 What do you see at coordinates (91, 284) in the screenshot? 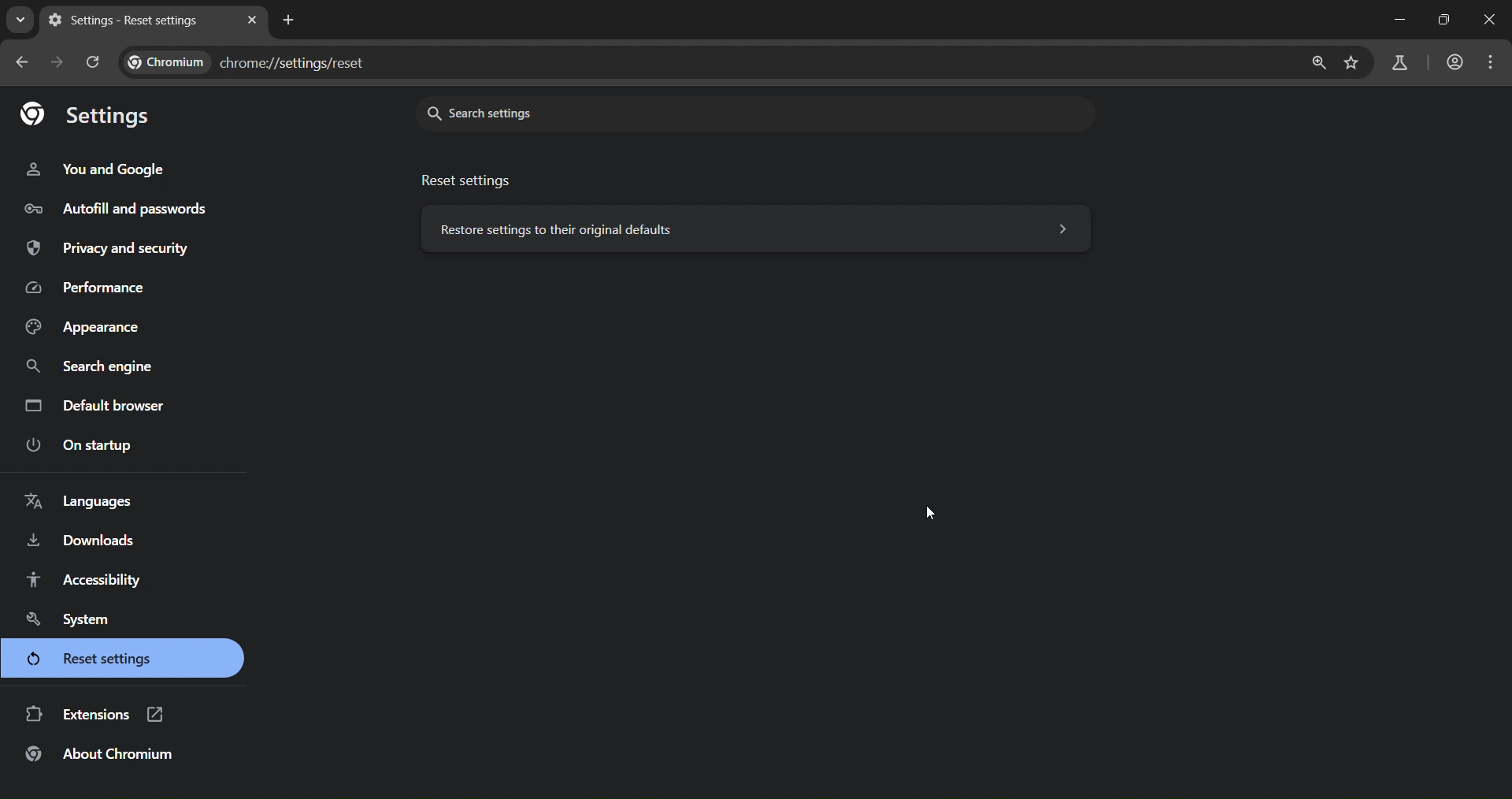
I see `performance` at bounding box center [91, 284].